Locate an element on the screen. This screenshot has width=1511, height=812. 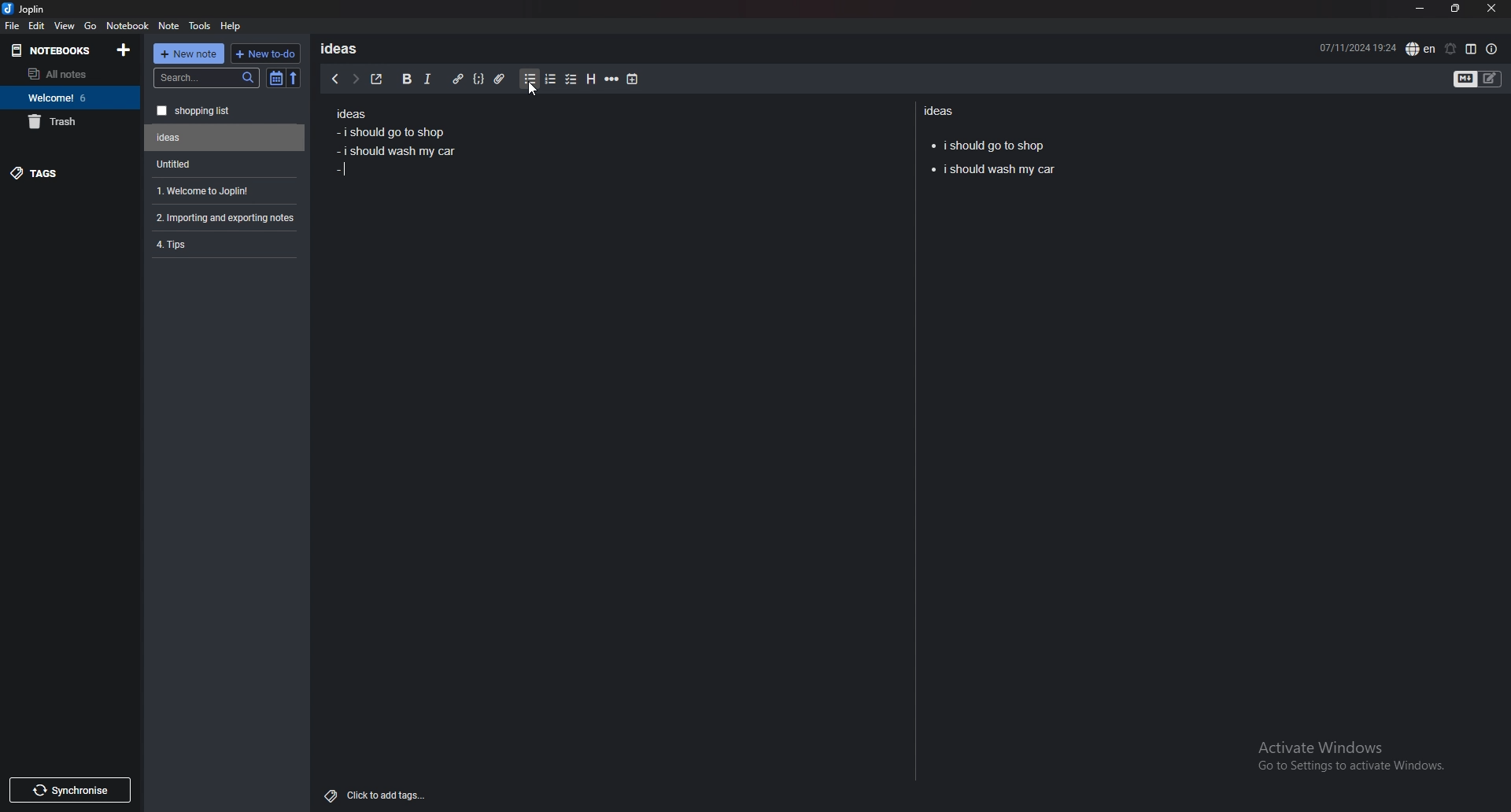
Joplin is located at coordinates (36, 9).